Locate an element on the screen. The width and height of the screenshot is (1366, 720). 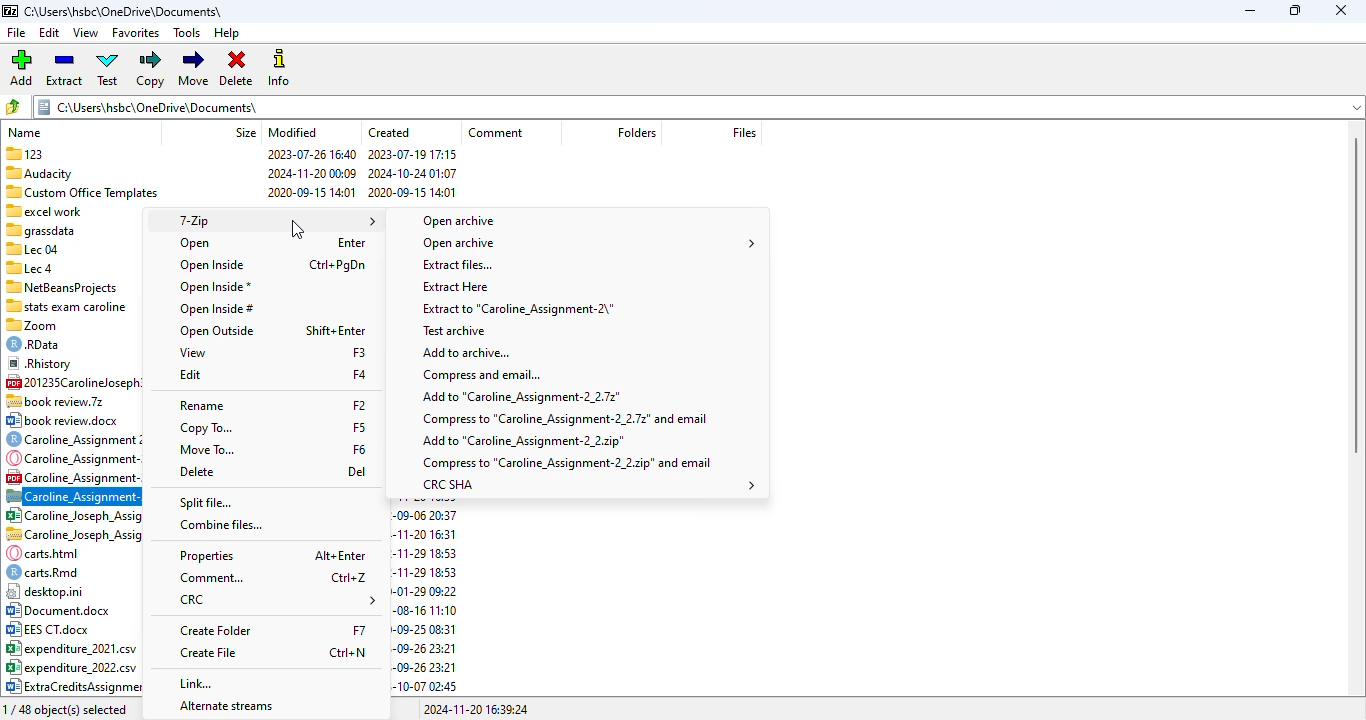
add to .7z file is located at coordinates (521, 397).